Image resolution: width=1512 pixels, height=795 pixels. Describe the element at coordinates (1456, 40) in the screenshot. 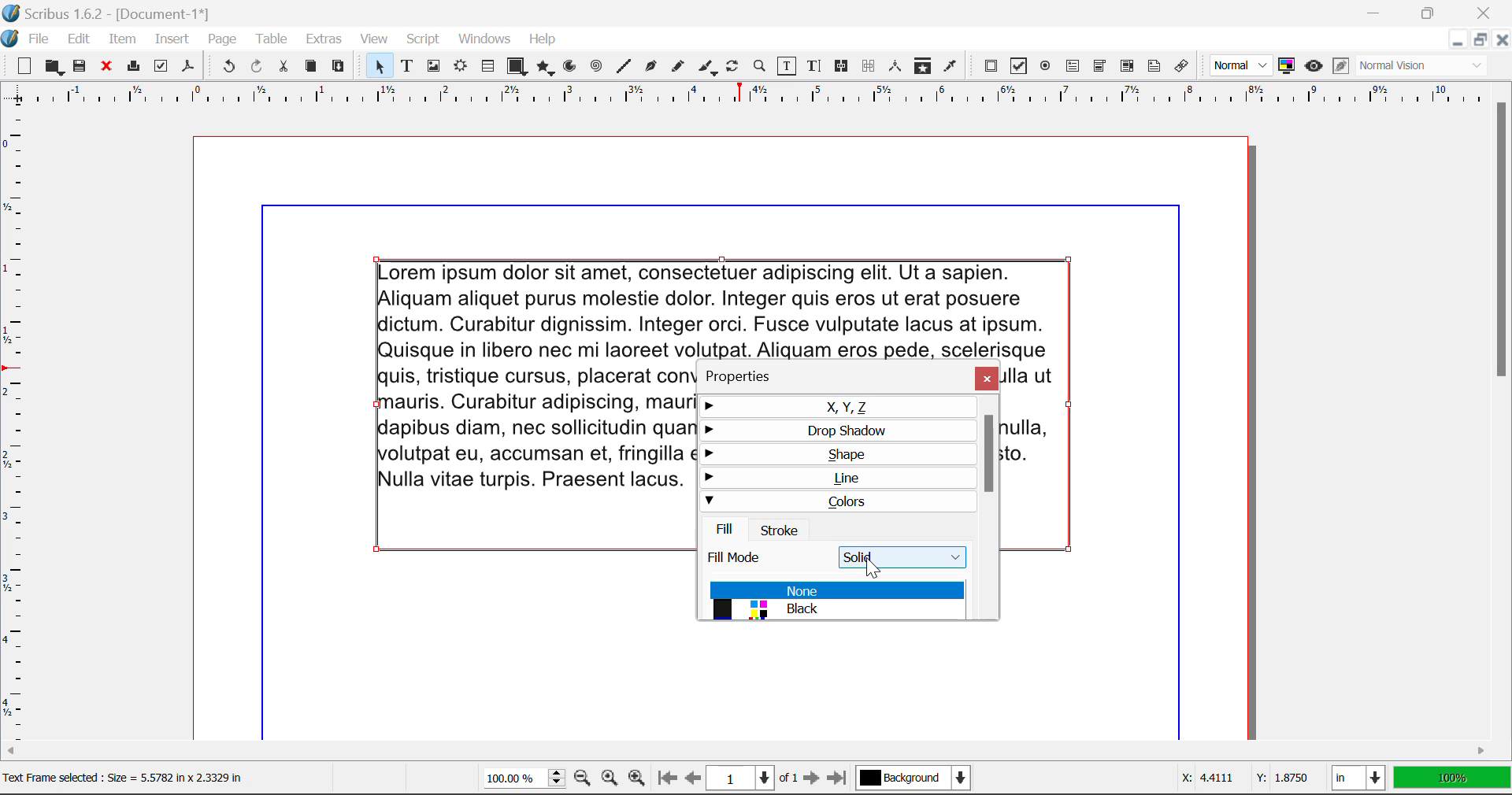

I see `Restore Down` at that location.